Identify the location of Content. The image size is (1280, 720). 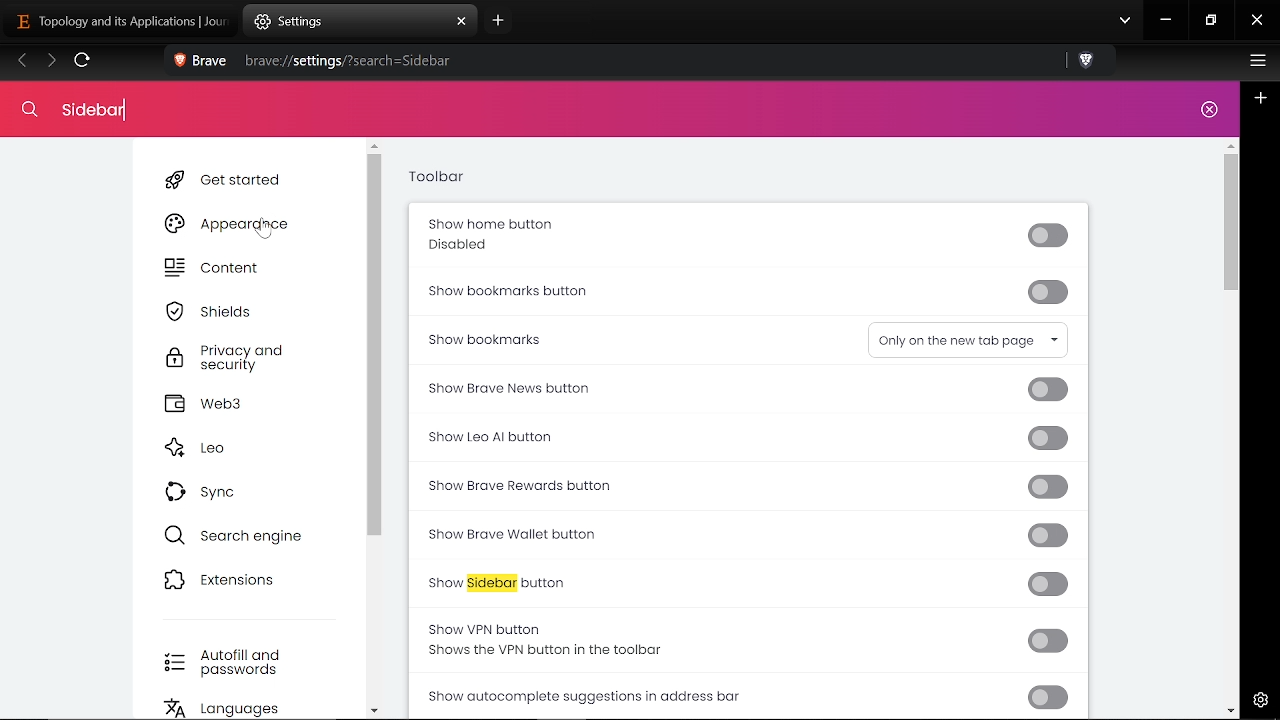
(228, 270).